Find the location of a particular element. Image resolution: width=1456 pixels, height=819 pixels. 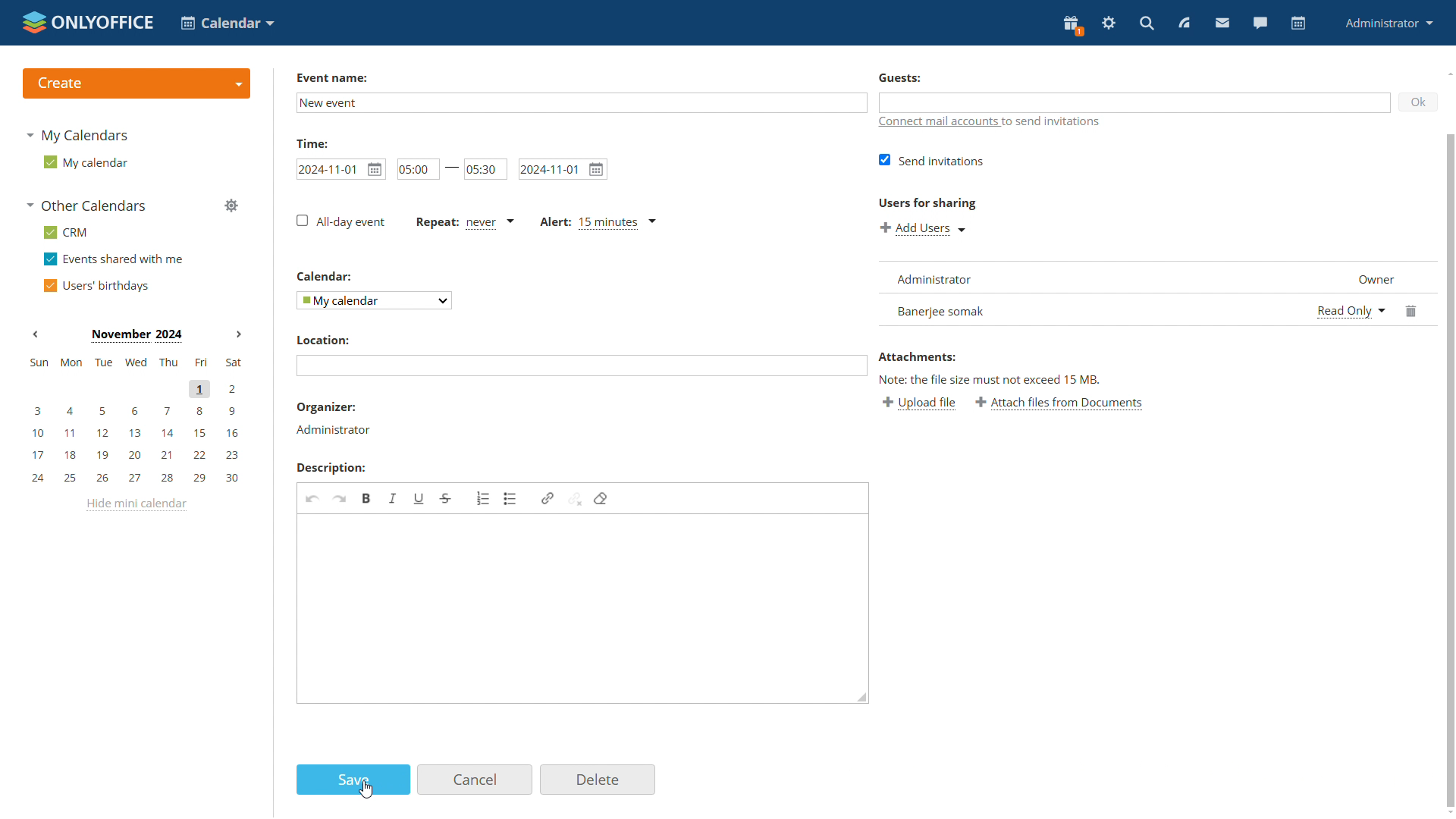

Vertical scroll bar is located at coordinates (1451, 469).